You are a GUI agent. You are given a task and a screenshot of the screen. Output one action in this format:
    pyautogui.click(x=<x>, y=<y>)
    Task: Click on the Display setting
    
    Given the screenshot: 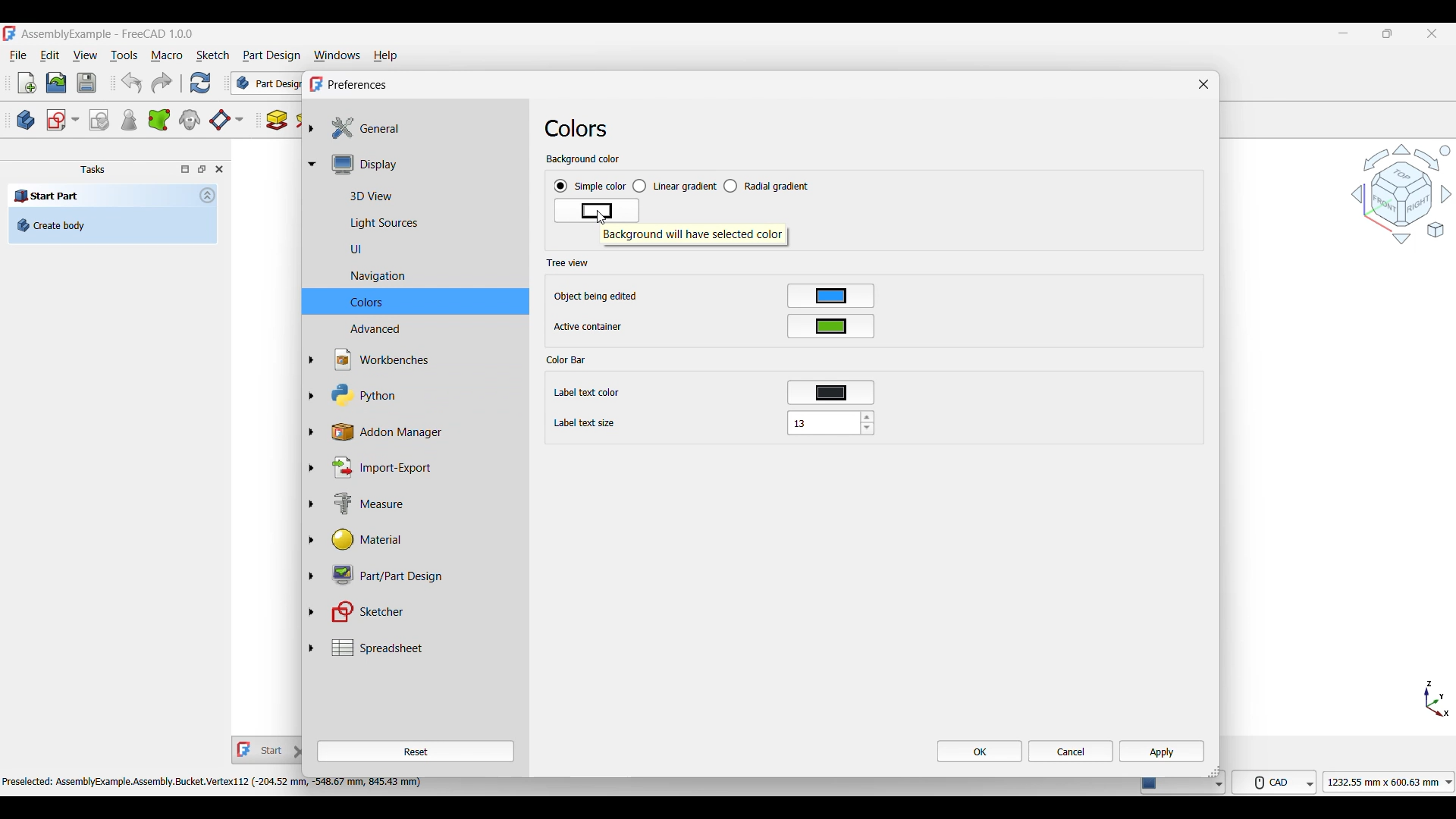 What is the action you would take?
    pyautogui.click(x=423, y=164)
    